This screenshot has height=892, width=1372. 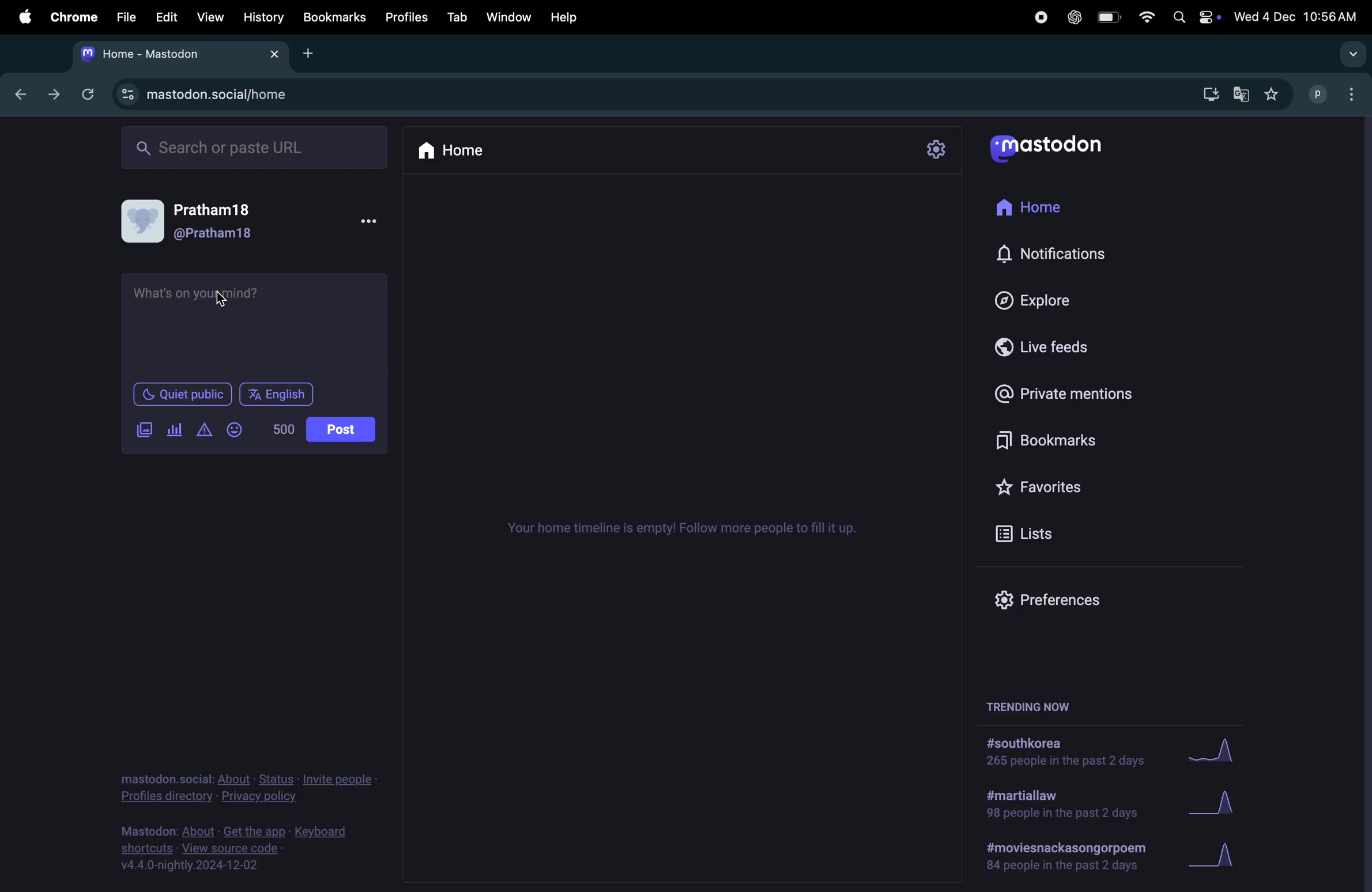 I want to click on Home, so click(x=451, y=149).